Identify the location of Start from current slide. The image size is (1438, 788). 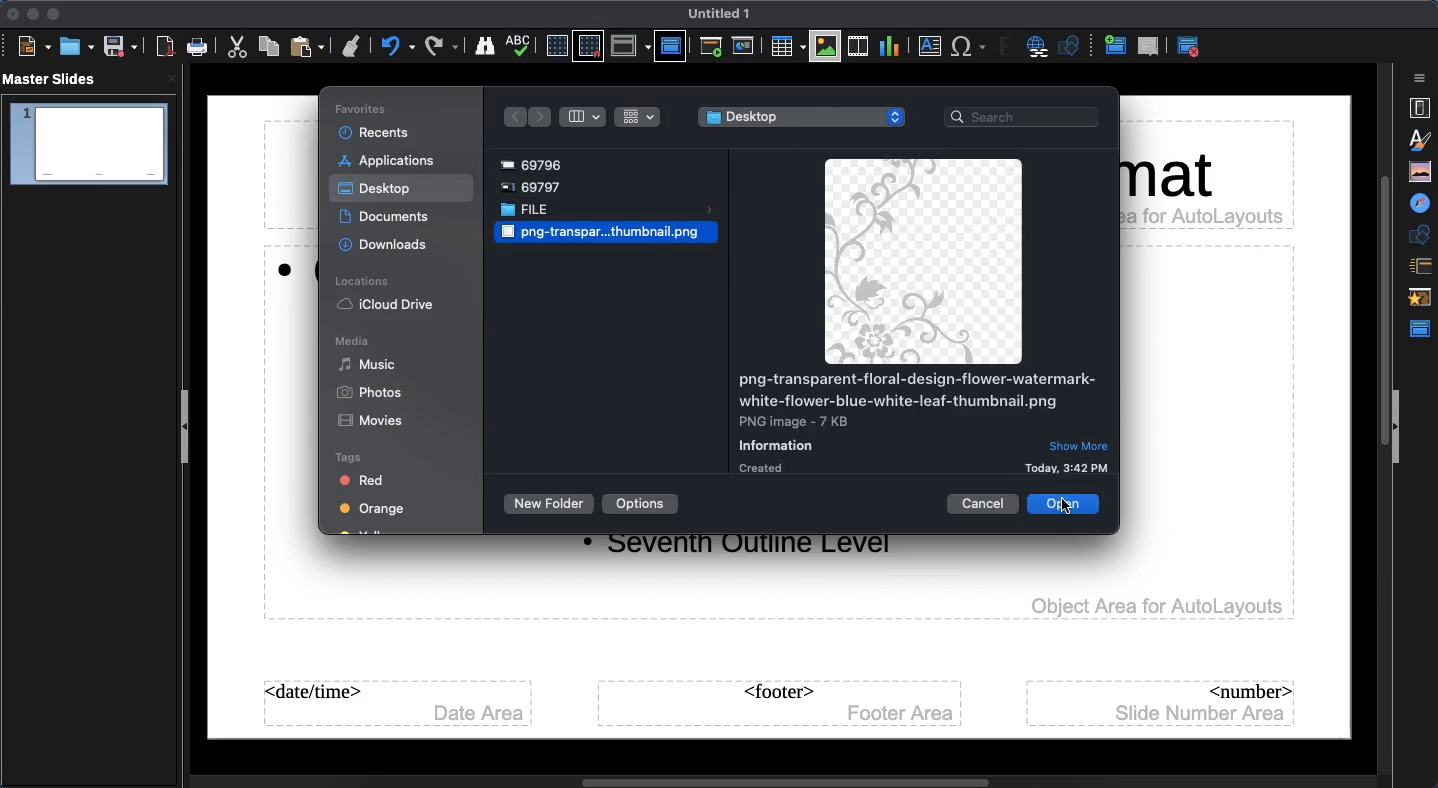
(745, 46).